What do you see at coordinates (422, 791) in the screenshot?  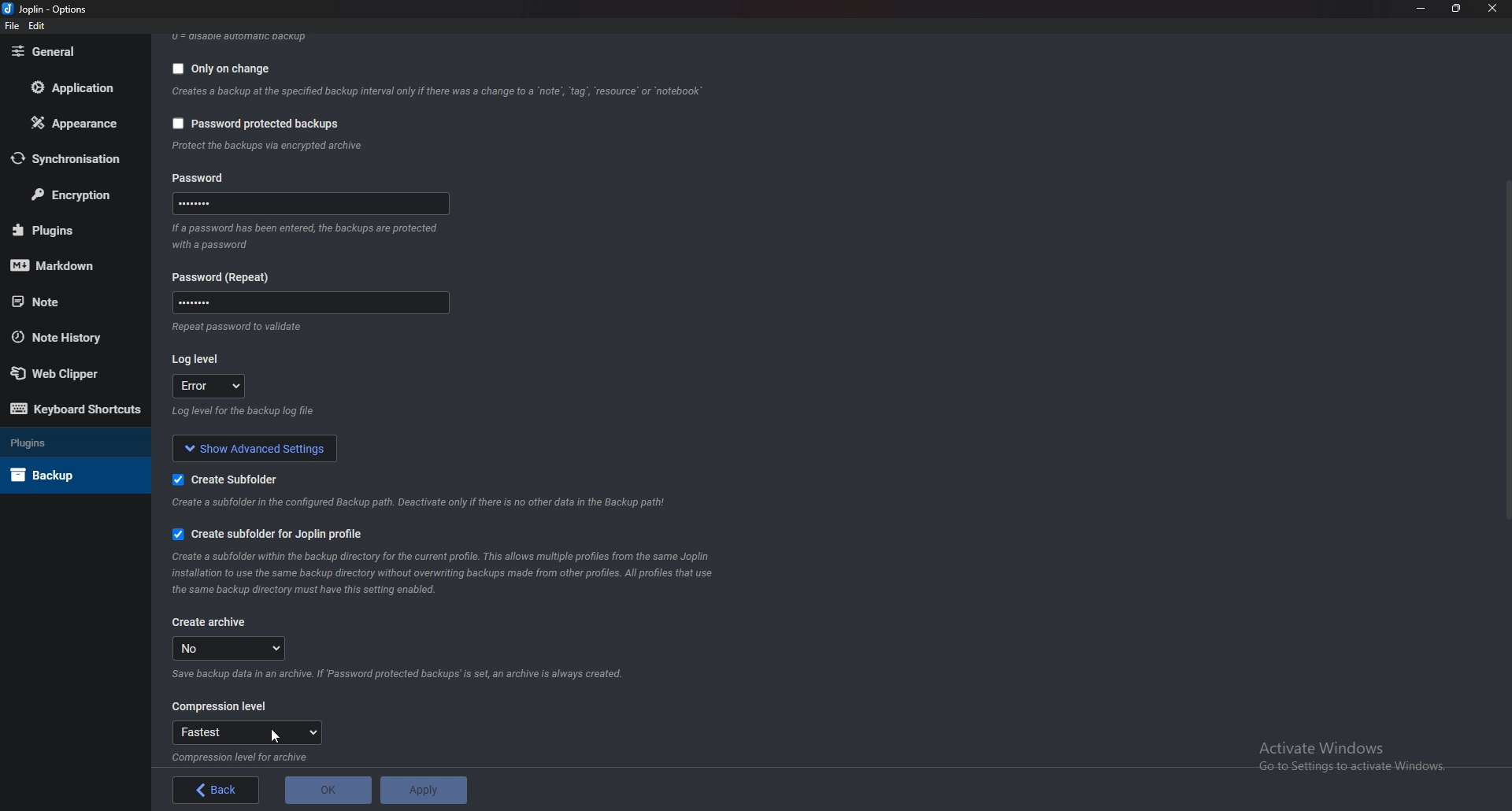 I see `apply` at bounding box center [422, 791].